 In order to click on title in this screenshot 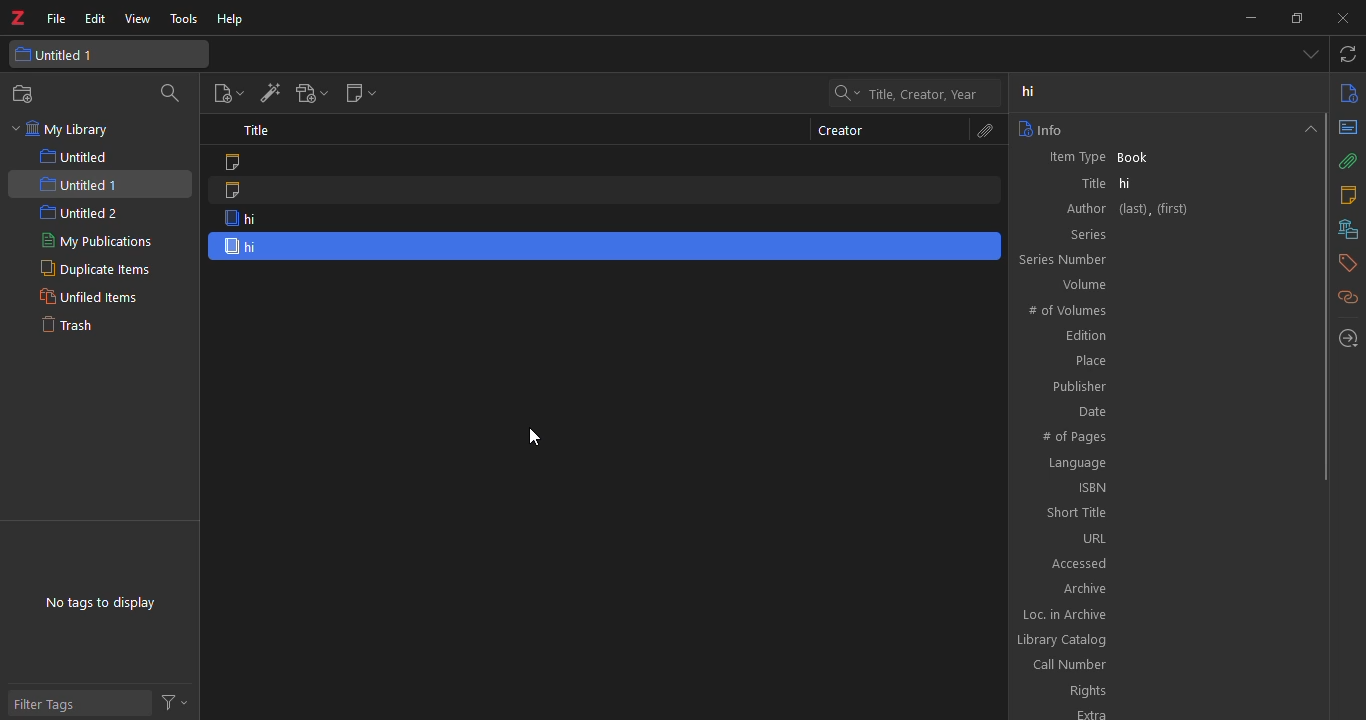, I will do `click(1089, 181)`.